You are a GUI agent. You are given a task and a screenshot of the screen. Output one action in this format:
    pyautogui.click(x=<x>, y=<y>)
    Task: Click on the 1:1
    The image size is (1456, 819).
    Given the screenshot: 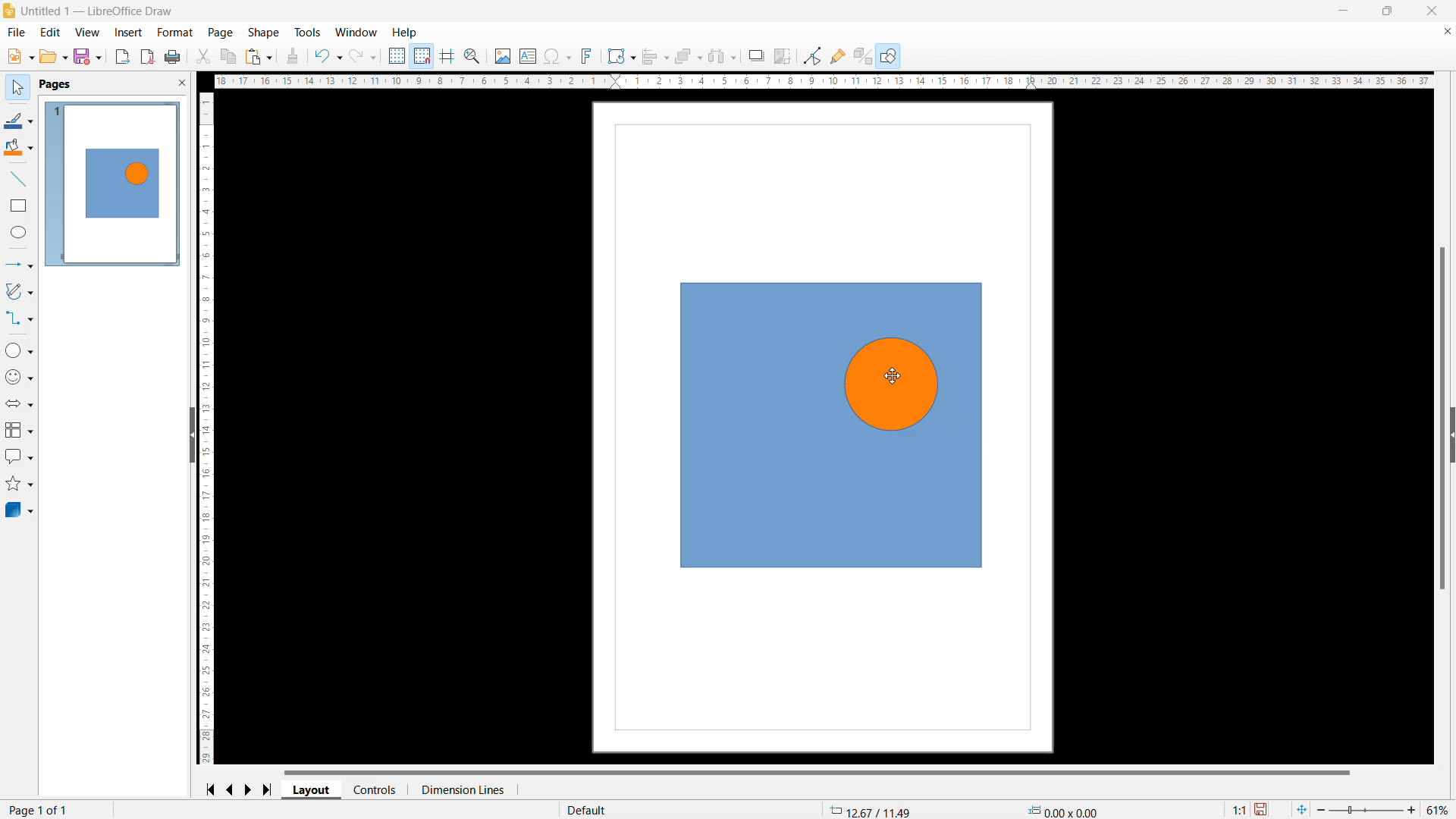 What is the action you would take?
    pyautogui.click(x=1237, y=808)
    